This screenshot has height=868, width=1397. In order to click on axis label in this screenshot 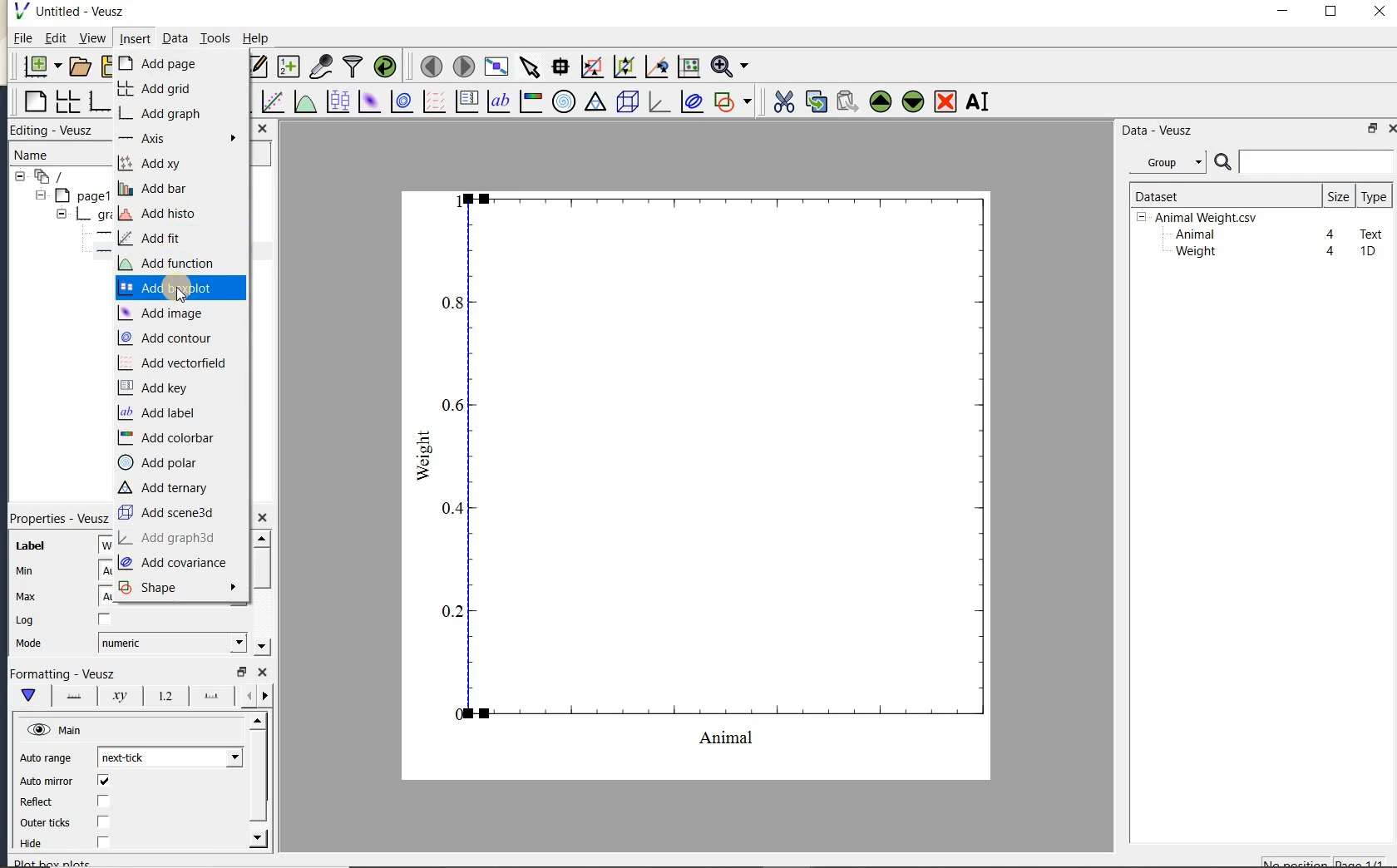, I will do `click(116, 696)`.